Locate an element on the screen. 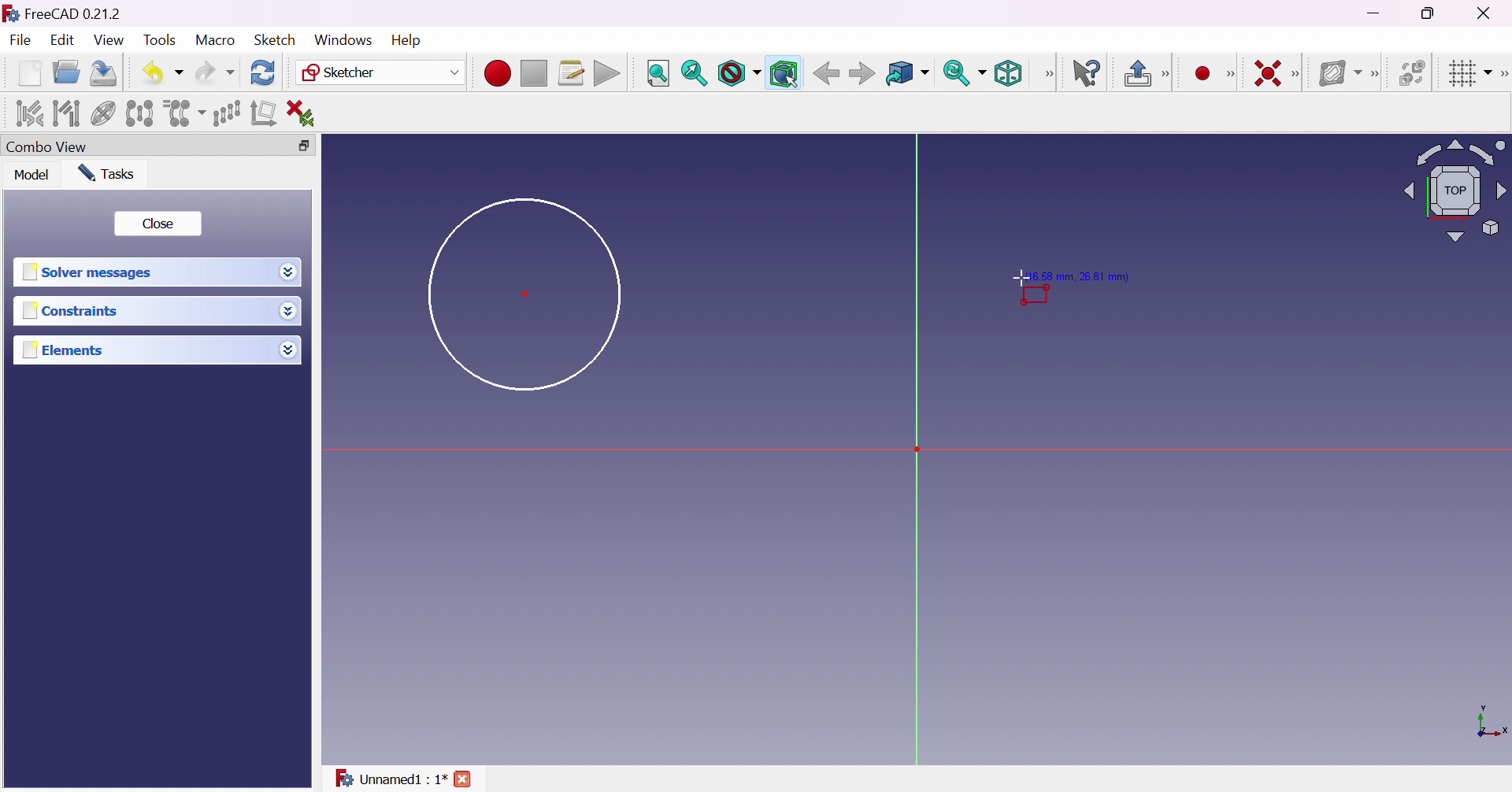  Isometric is located at coordinates (1007, 75).